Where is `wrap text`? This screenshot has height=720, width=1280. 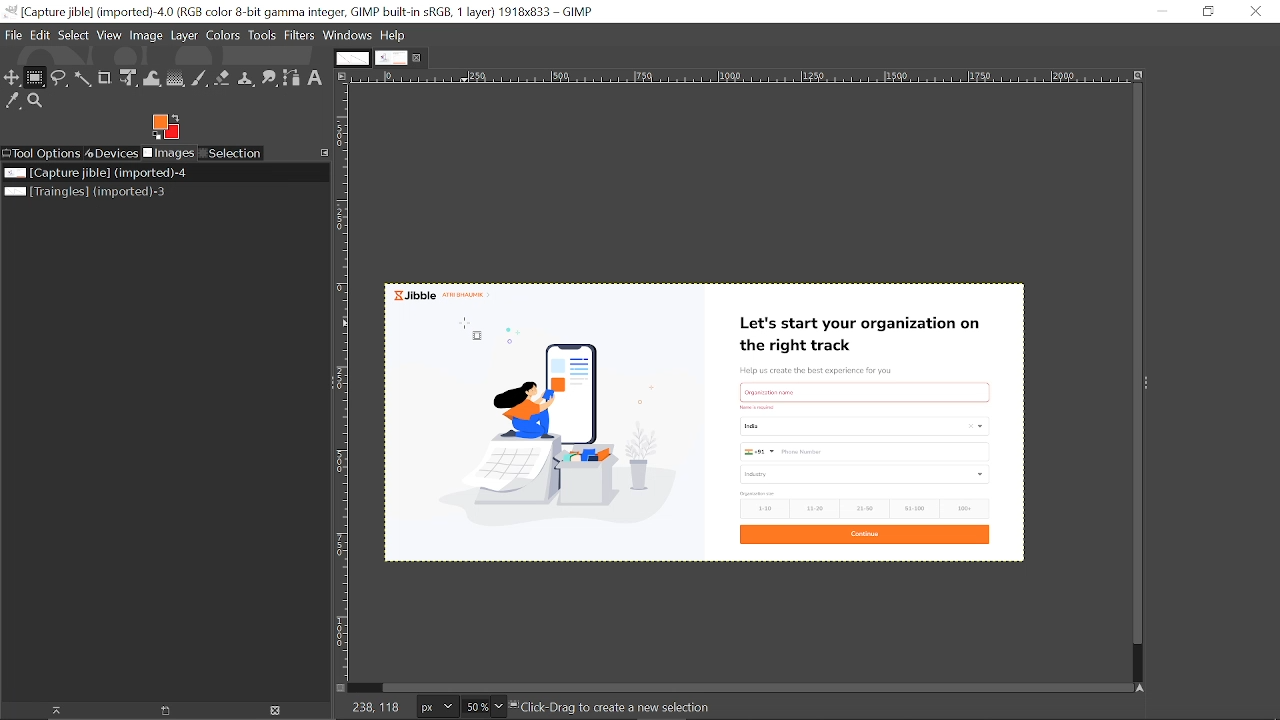 wrap text is located at coordinates (151, 76).